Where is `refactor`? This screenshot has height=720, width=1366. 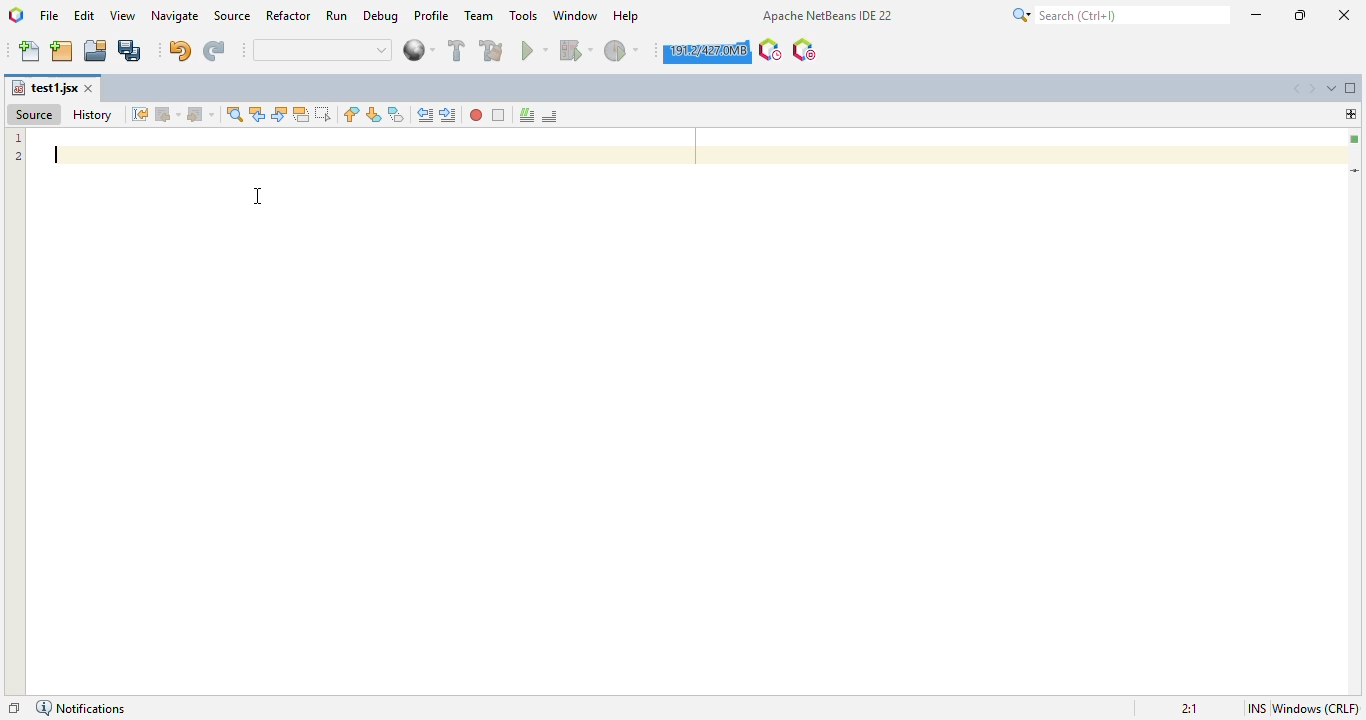
refactor is located at coordinates (289, 15).